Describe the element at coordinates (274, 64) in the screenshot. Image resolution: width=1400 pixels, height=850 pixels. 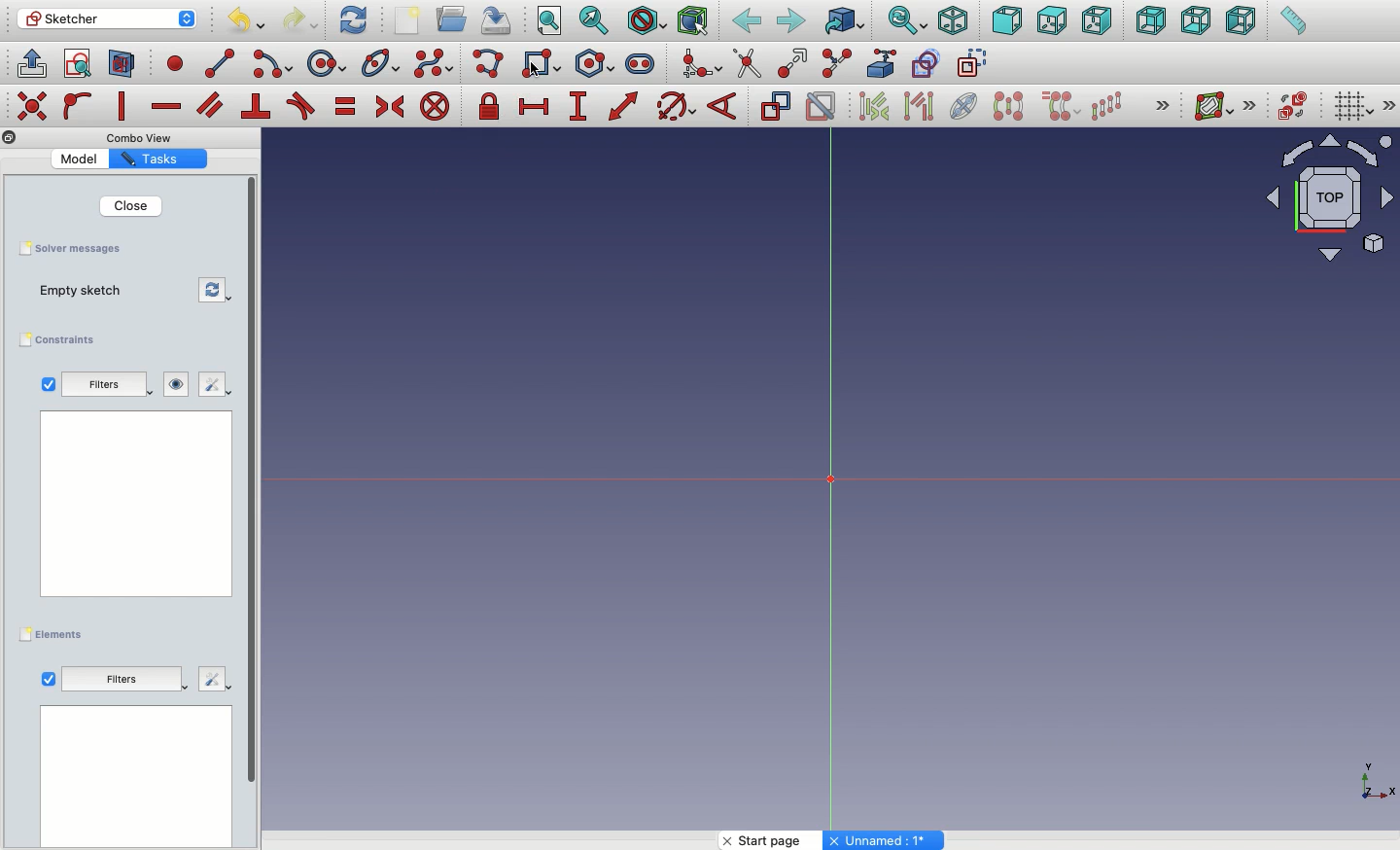
I see `arc` at that location.